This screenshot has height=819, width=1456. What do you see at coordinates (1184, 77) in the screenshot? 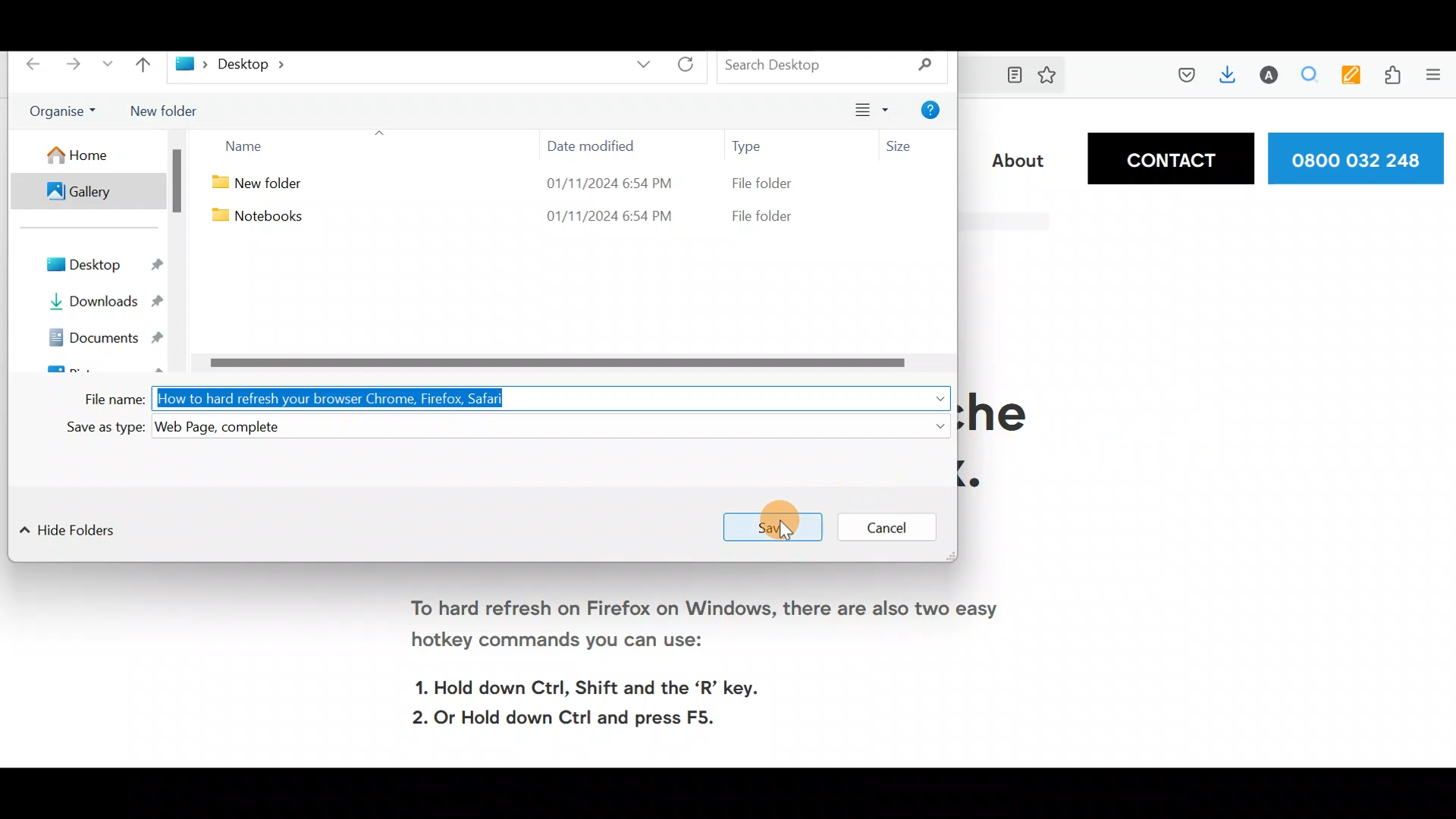
I see `Save to pocket` at bounding box center [1184, 77].